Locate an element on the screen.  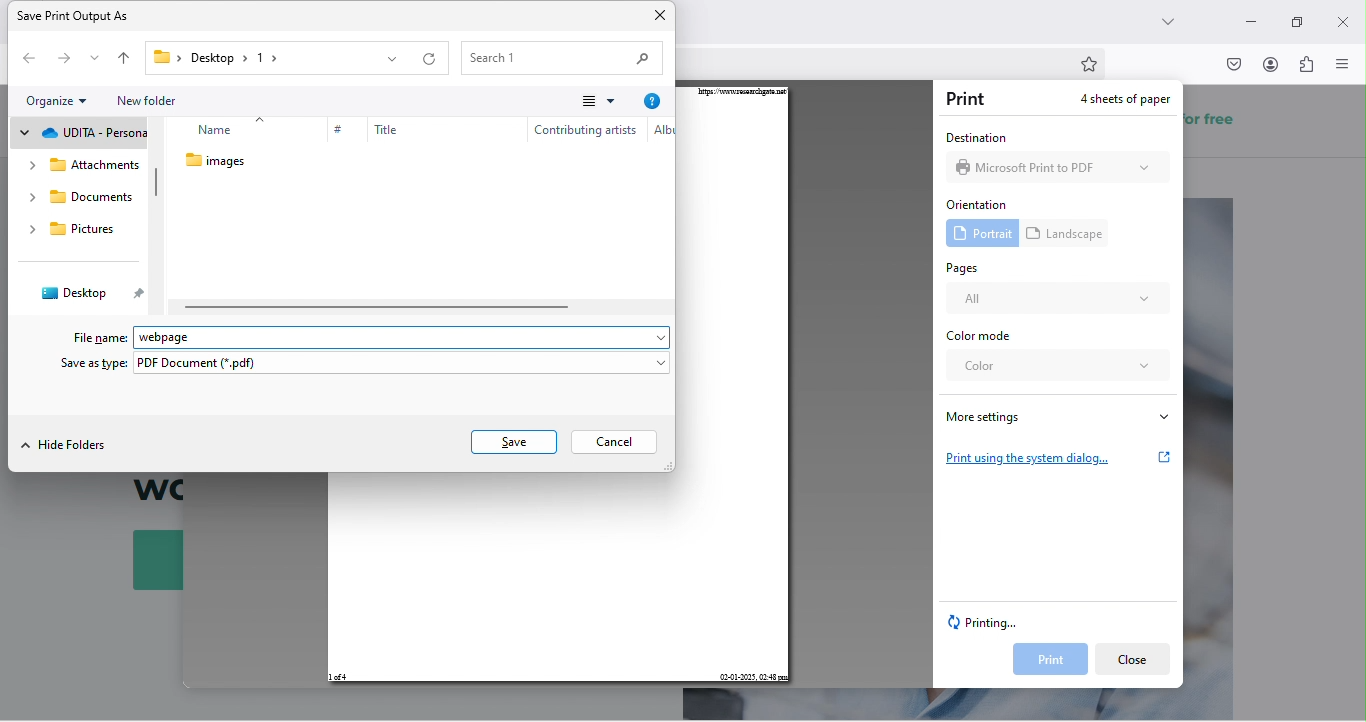
refresh is located at coordinates (433, 61).